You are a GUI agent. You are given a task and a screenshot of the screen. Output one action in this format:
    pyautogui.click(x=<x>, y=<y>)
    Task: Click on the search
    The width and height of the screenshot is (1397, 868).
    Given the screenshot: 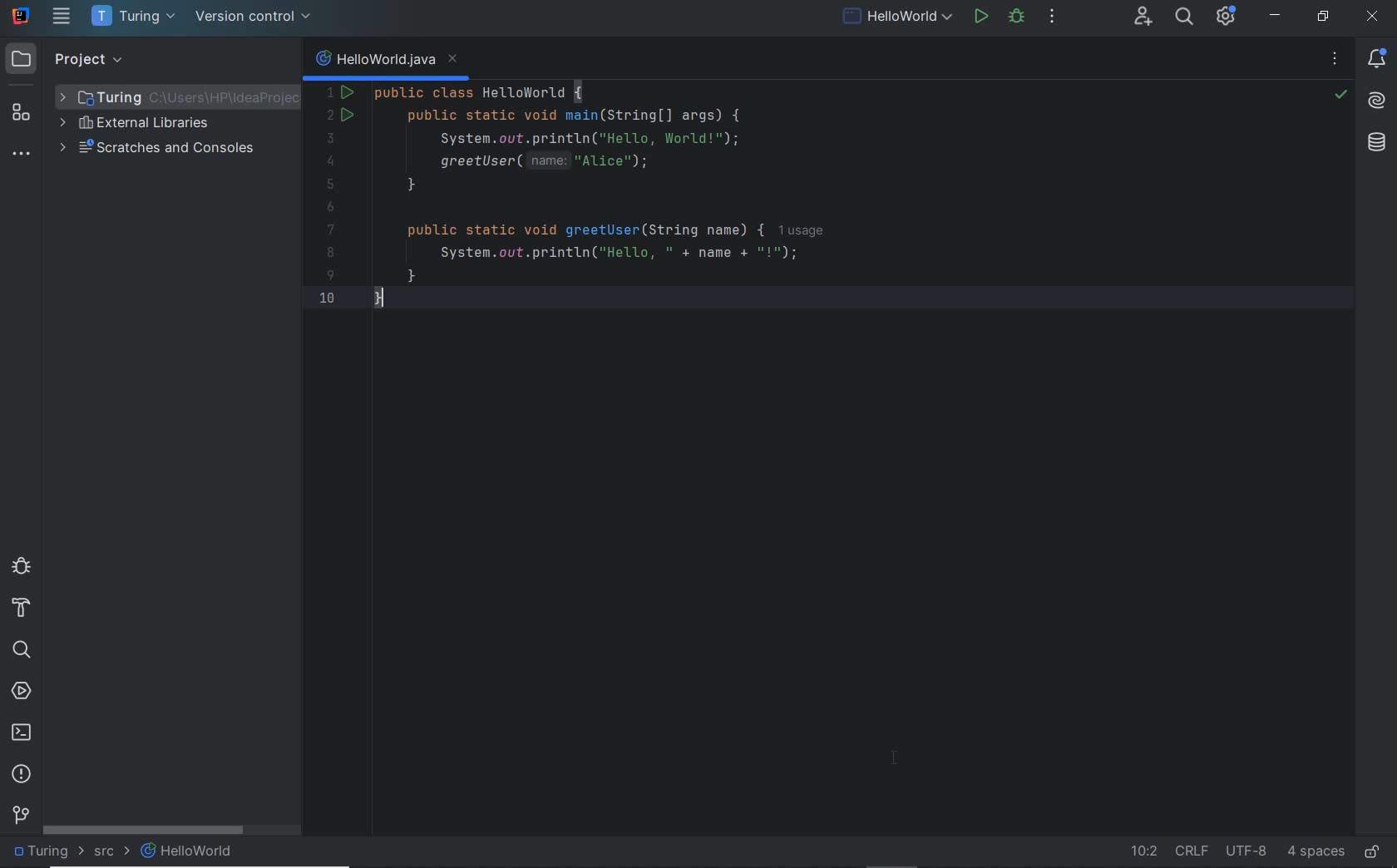 What is the action you would take?
    pyautogui.click(x=21, y=650)
    